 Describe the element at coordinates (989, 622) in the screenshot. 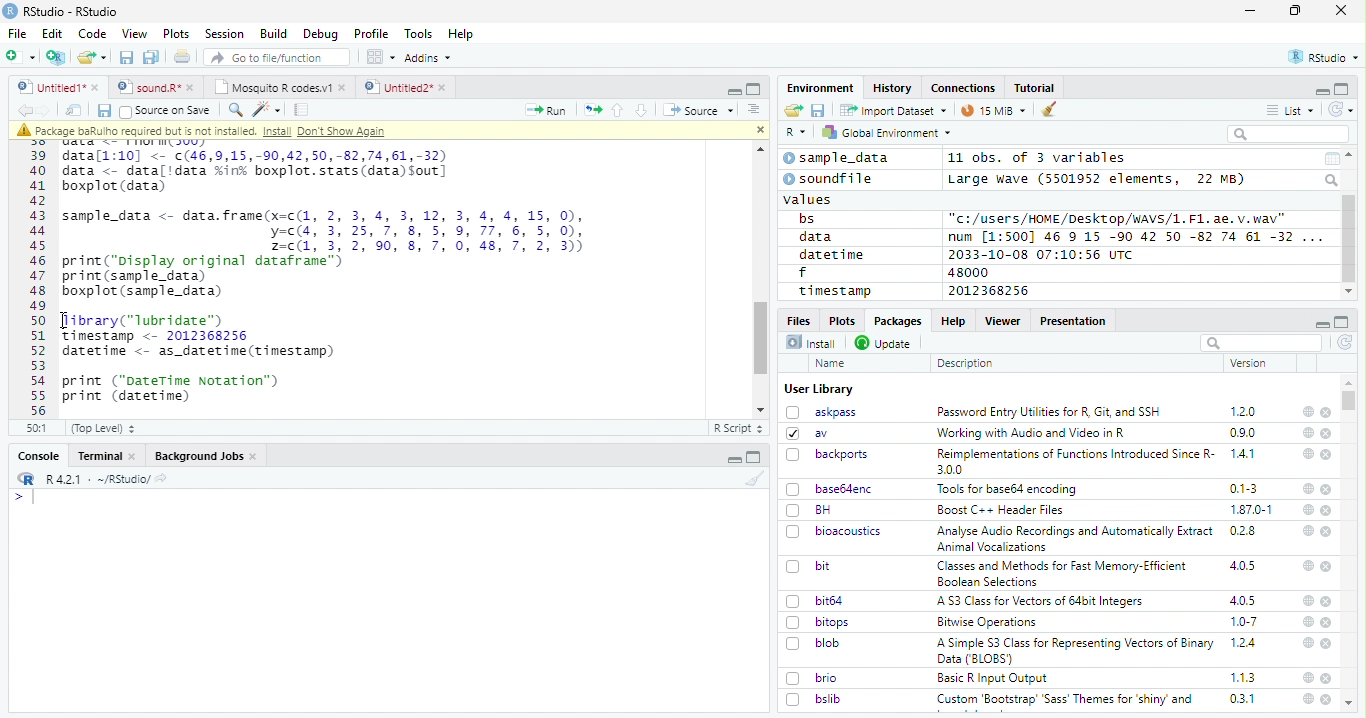

I see `Bitwise Operations` at that location.